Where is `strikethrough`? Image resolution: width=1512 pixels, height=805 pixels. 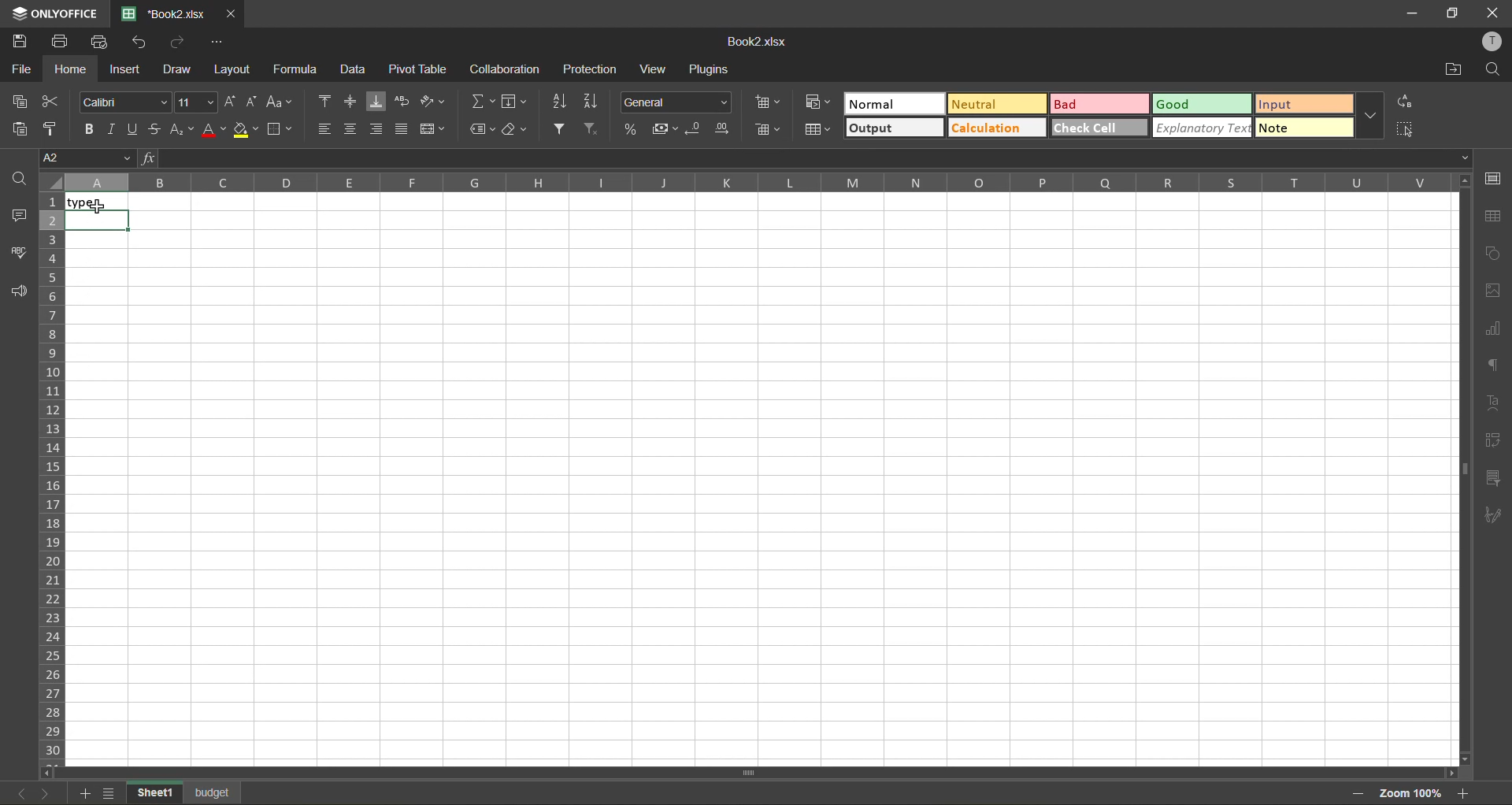 strikethrough is located at coordinates (156, 129).